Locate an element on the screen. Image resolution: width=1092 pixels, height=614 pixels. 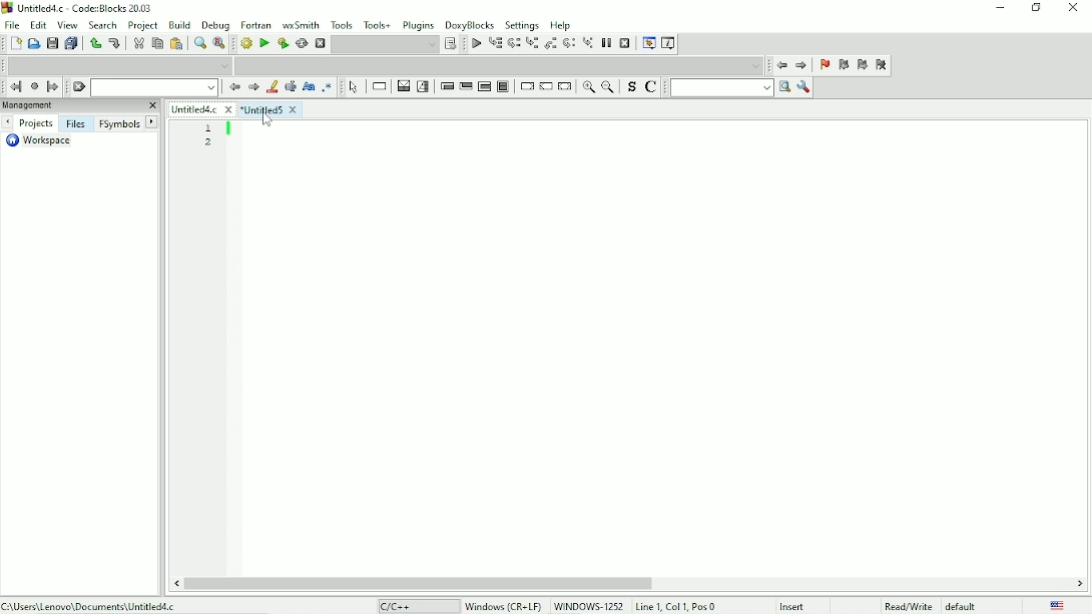
Prev is located at coordinates (8, 123).